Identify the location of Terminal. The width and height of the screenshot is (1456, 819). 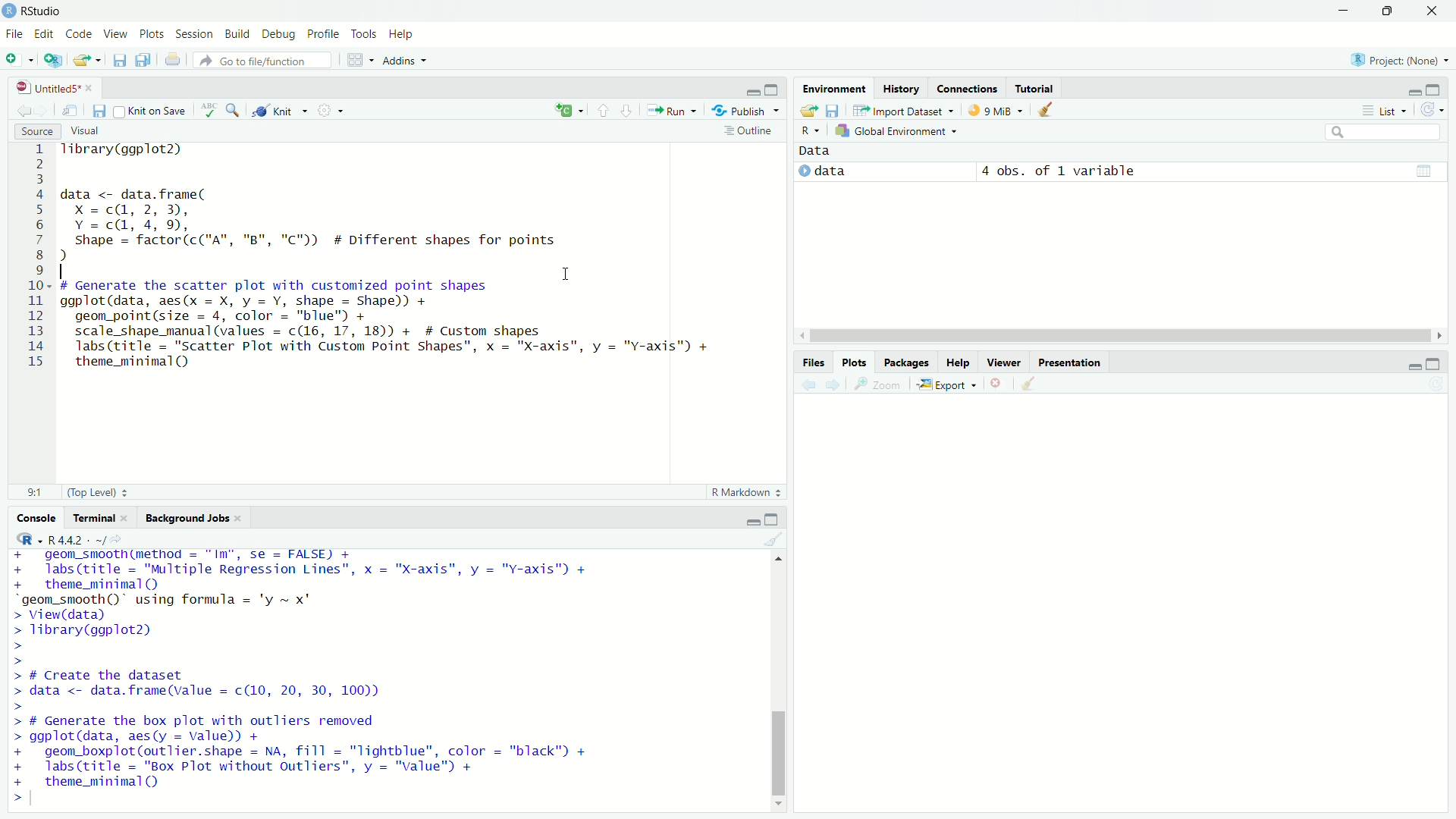
(91, 518).